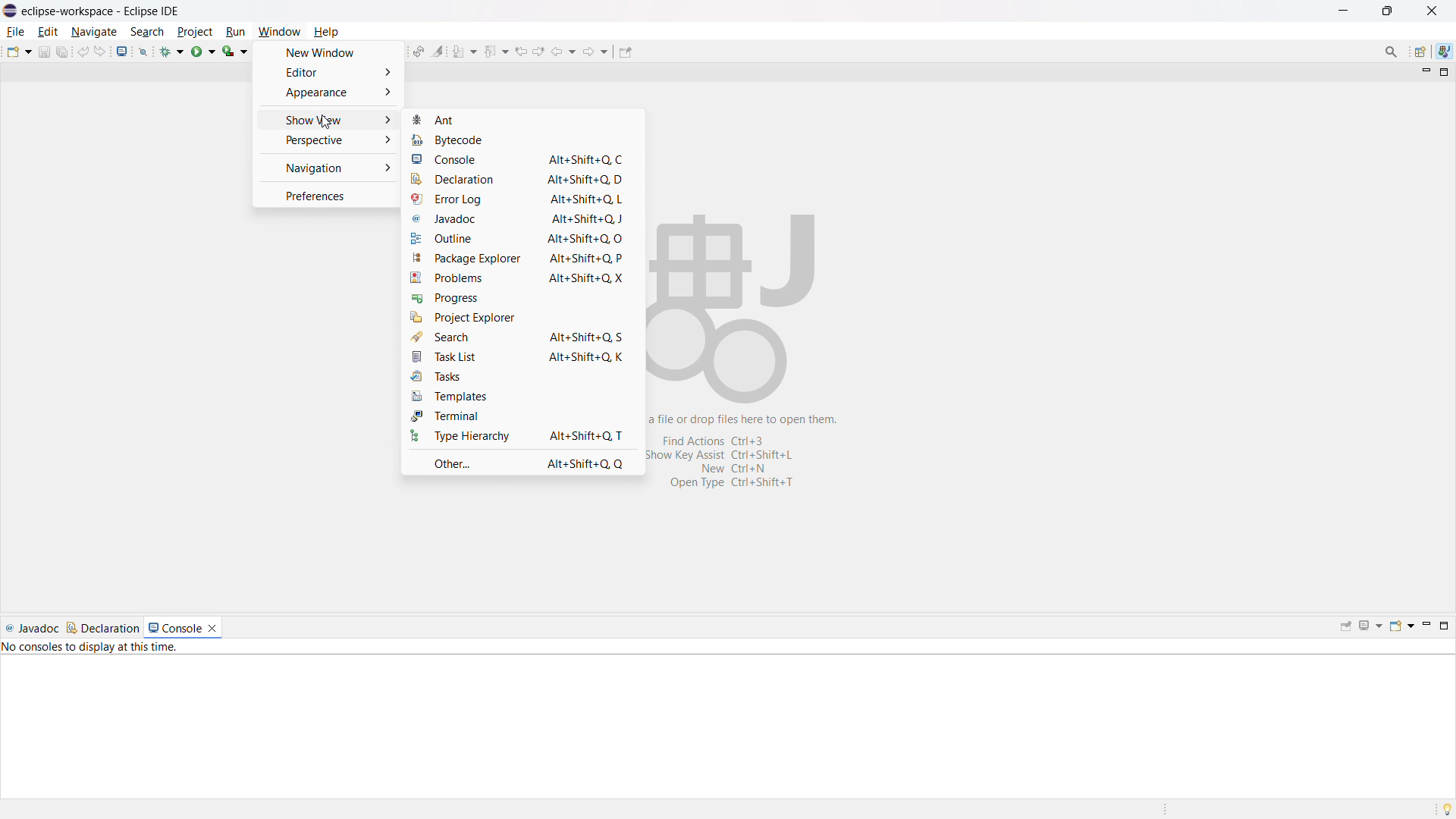 This screenshot has height=819, width=1456. Describe the element at coordinates (62, 52) in the screenshot. I see `save all` at that location.